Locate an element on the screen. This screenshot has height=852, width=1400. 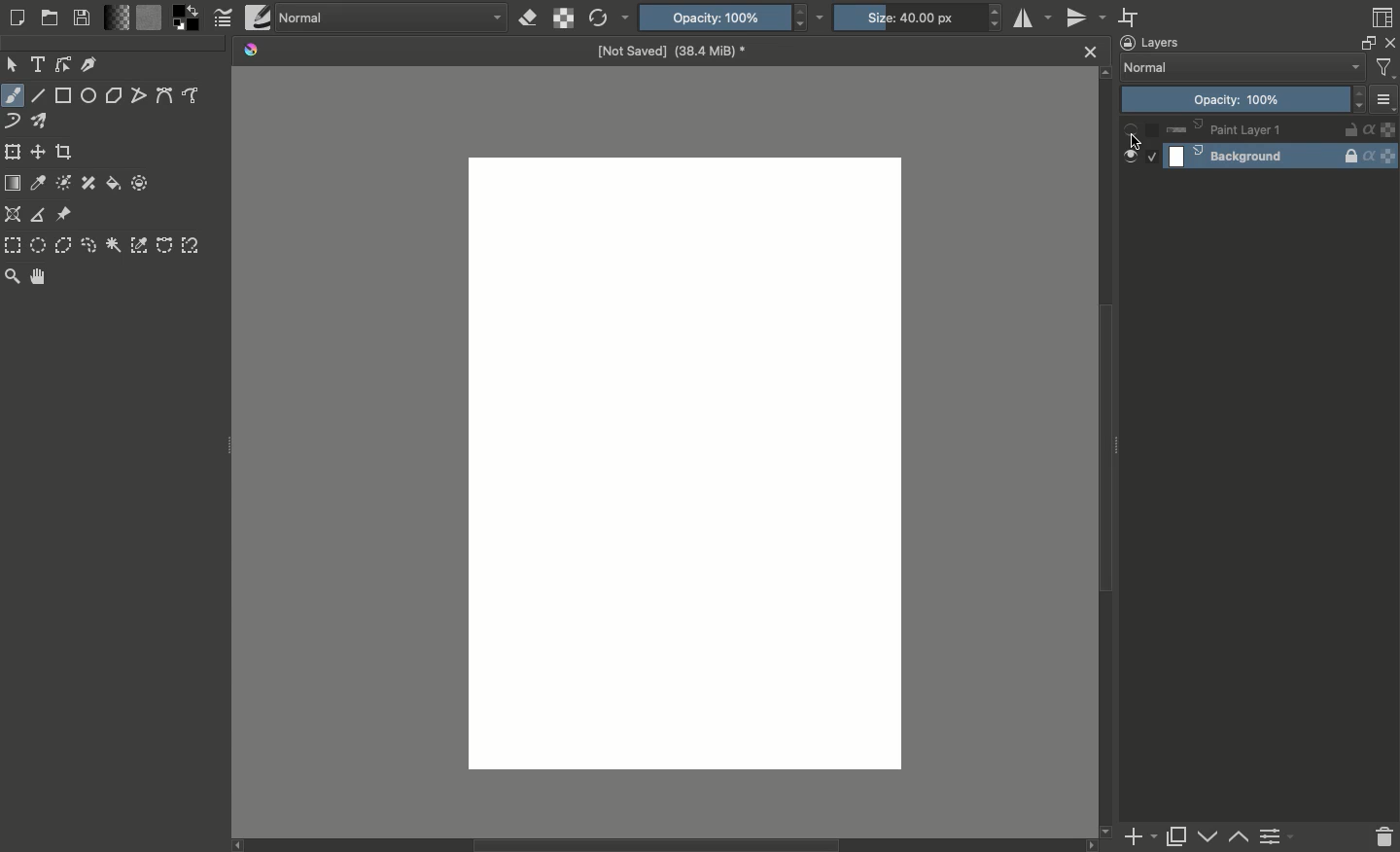
Horizontal mirror tool is located at coordinates (1032, 20).